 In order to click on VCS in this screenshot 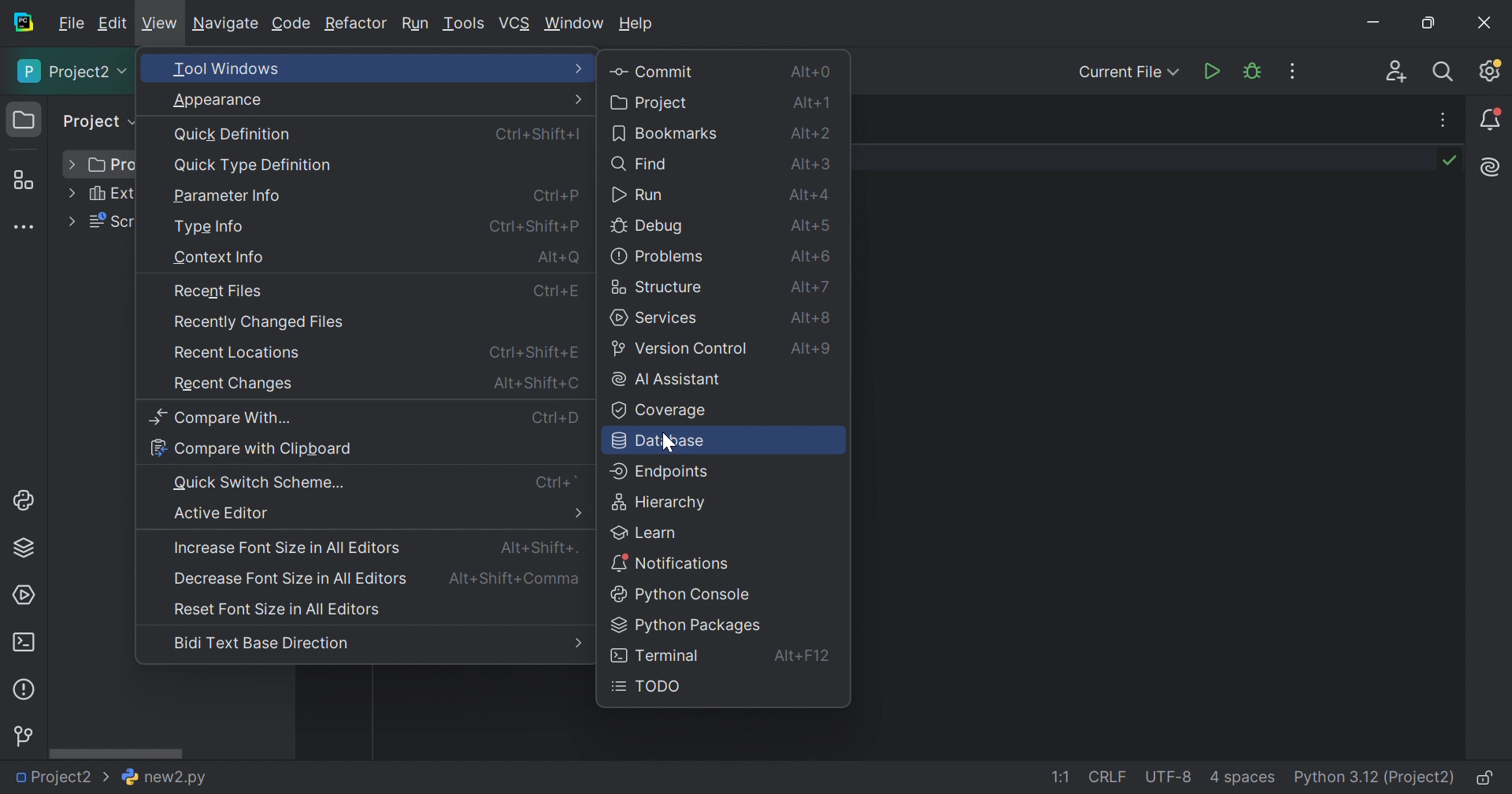, I will do `click(516, 21)`.